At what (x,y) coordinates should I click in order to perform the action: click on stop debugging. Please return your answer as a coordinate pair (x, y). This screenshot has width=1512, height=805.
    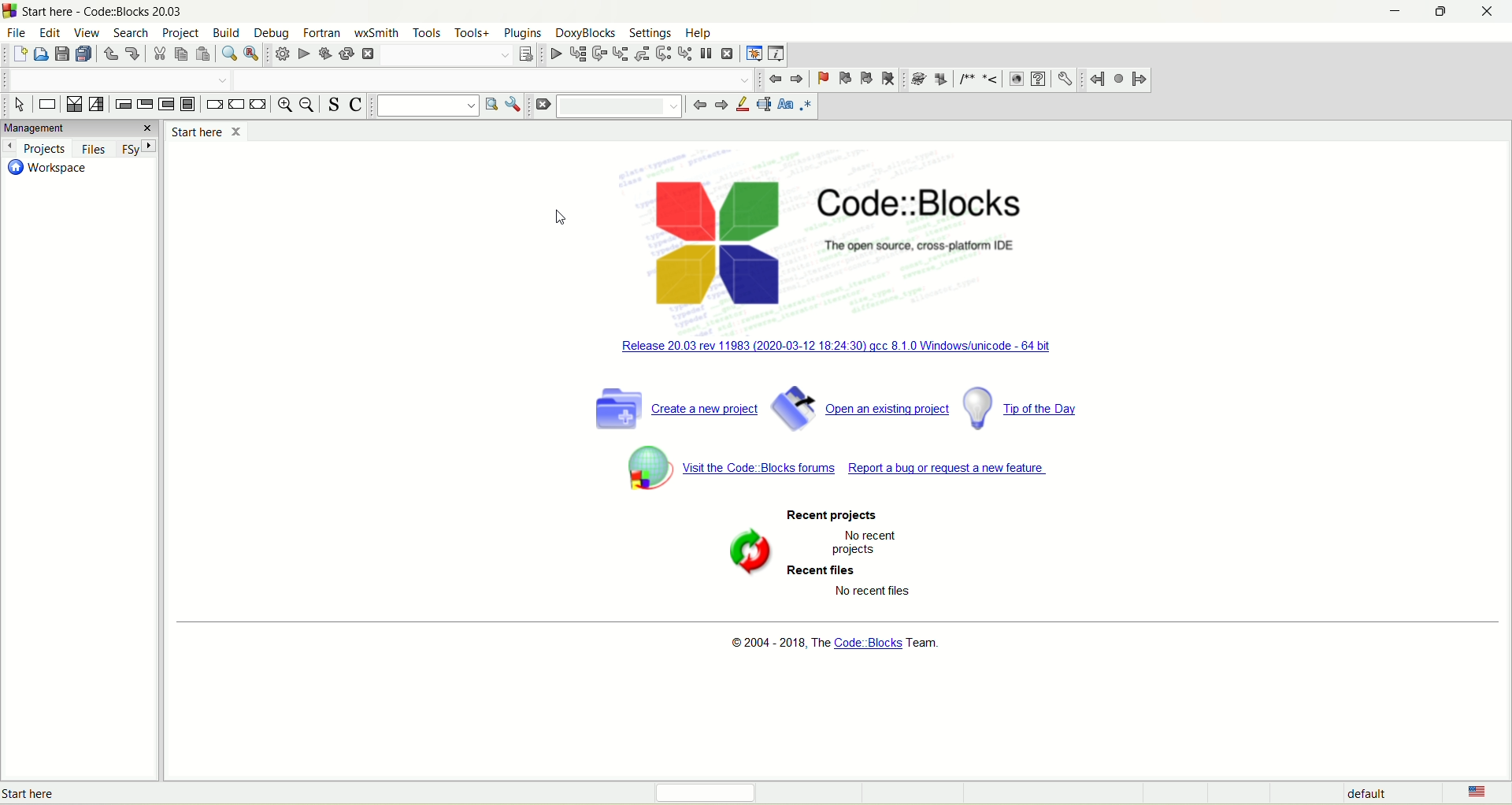
    Looking at the image, I should click on (728, 54).